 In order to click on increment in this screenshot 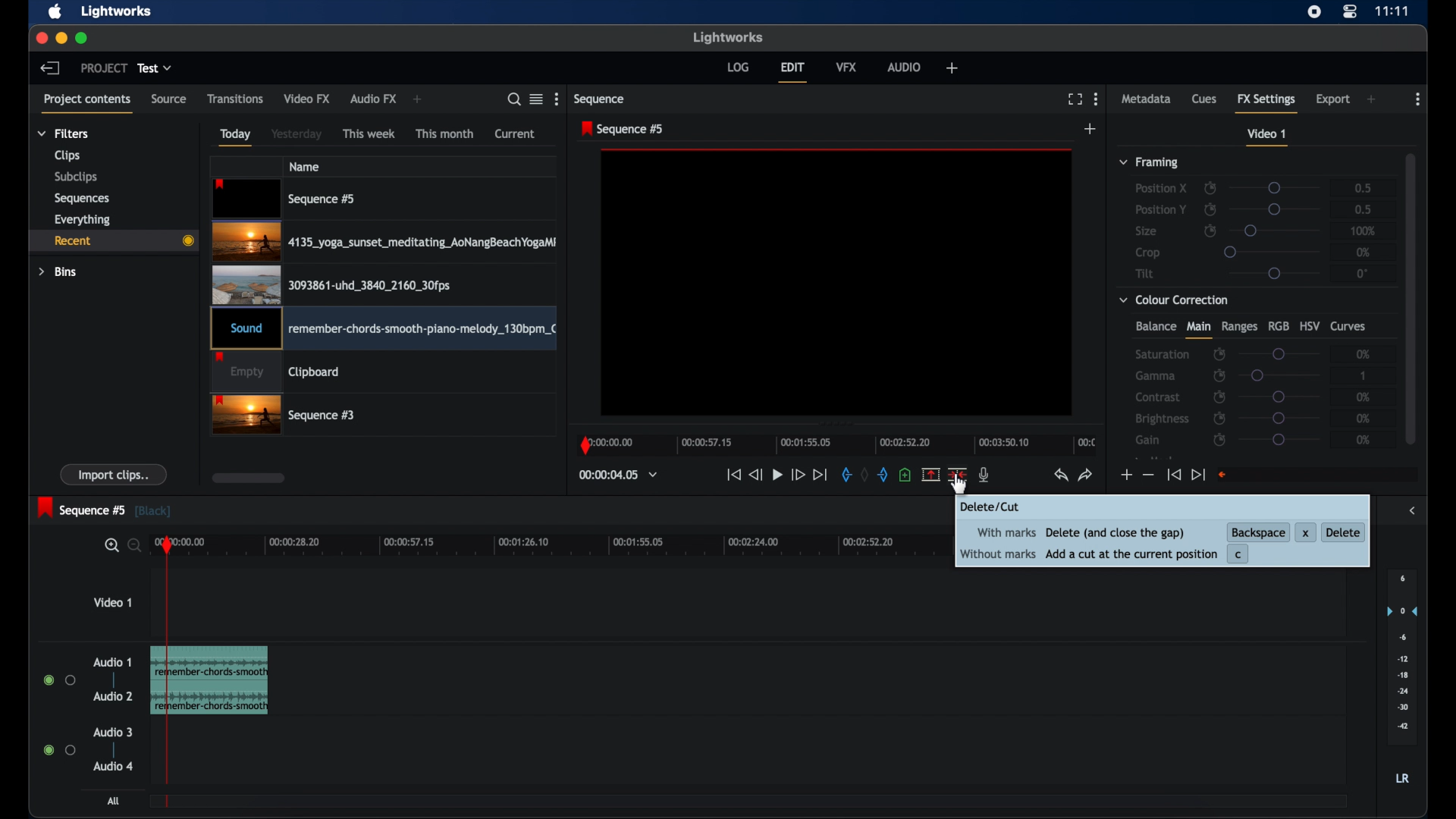, I will do `click(1125, 475)`.